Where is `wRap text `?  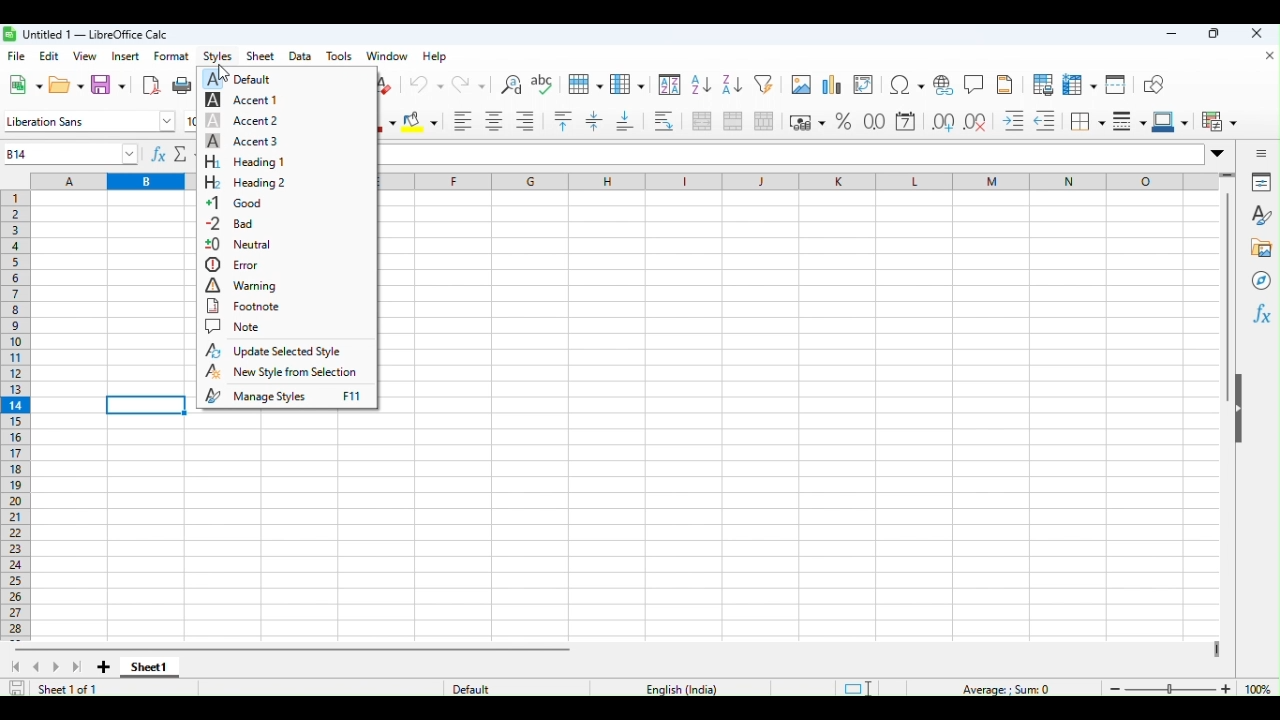 wRap text  is located at coordinates (662, 121).